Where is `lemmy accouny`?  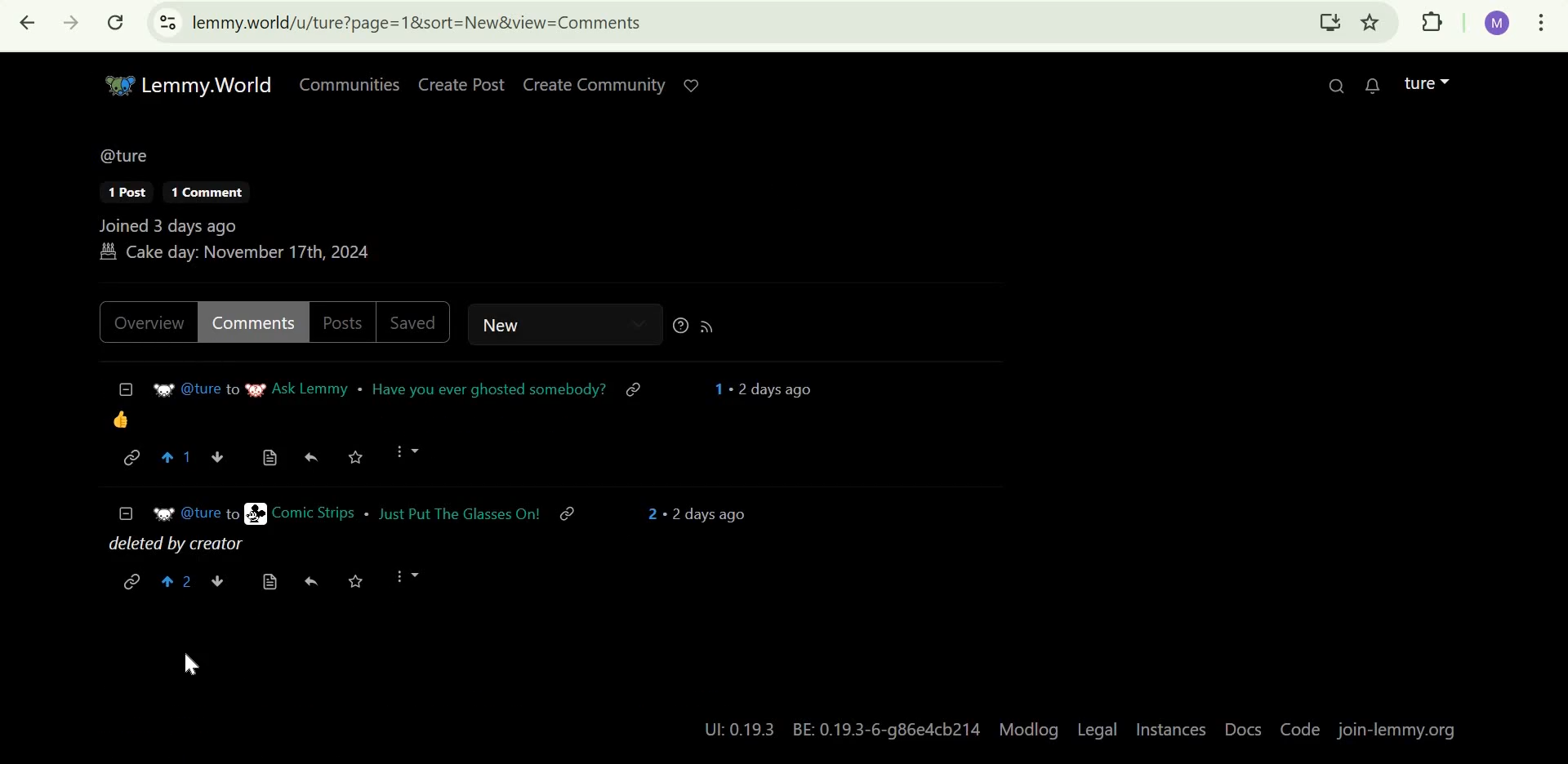 lemmy accouny is located at coordinates (1419, 82).